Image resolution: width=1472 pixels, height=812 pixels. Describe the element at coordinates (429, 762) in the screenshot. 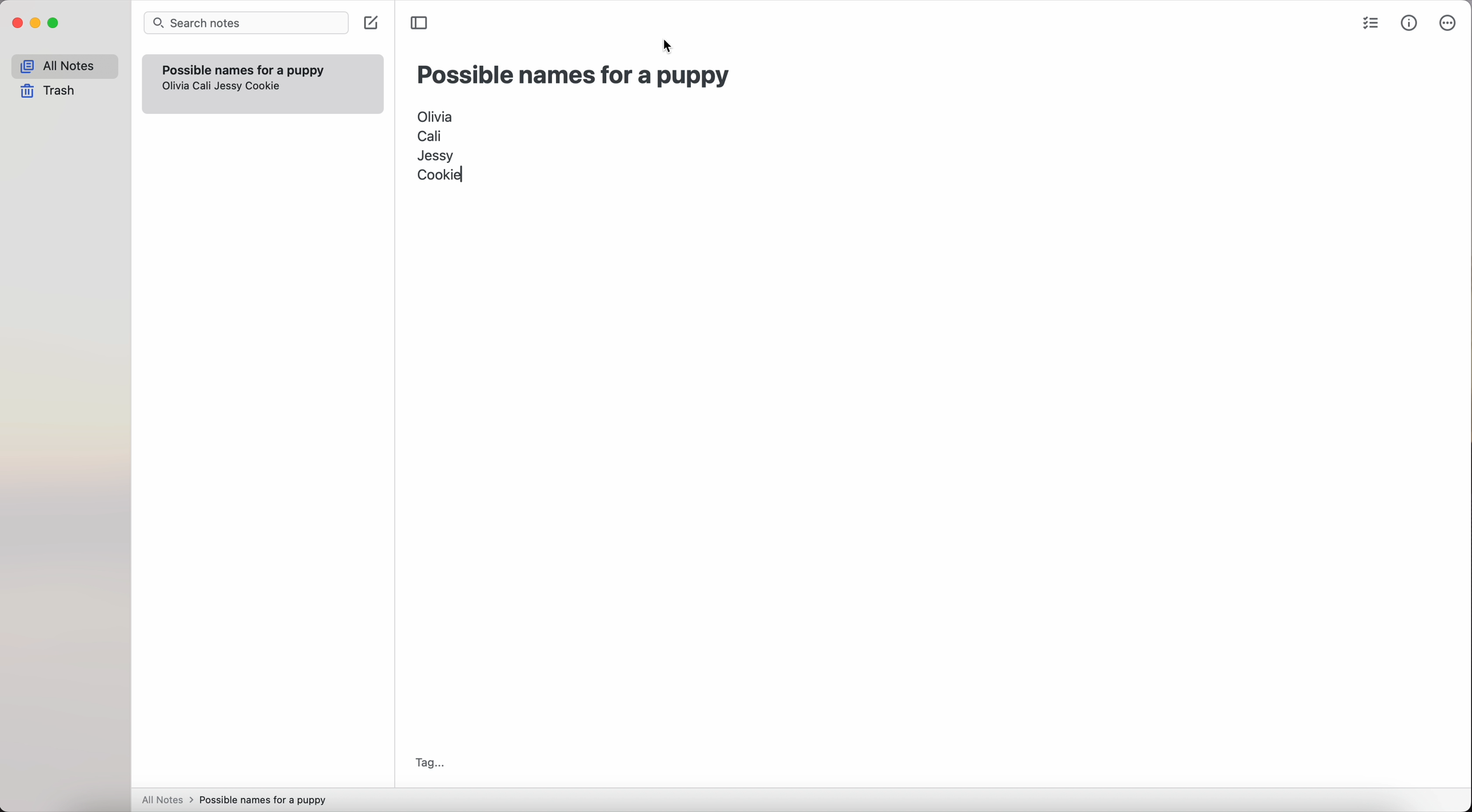

I see `tag` at that location.